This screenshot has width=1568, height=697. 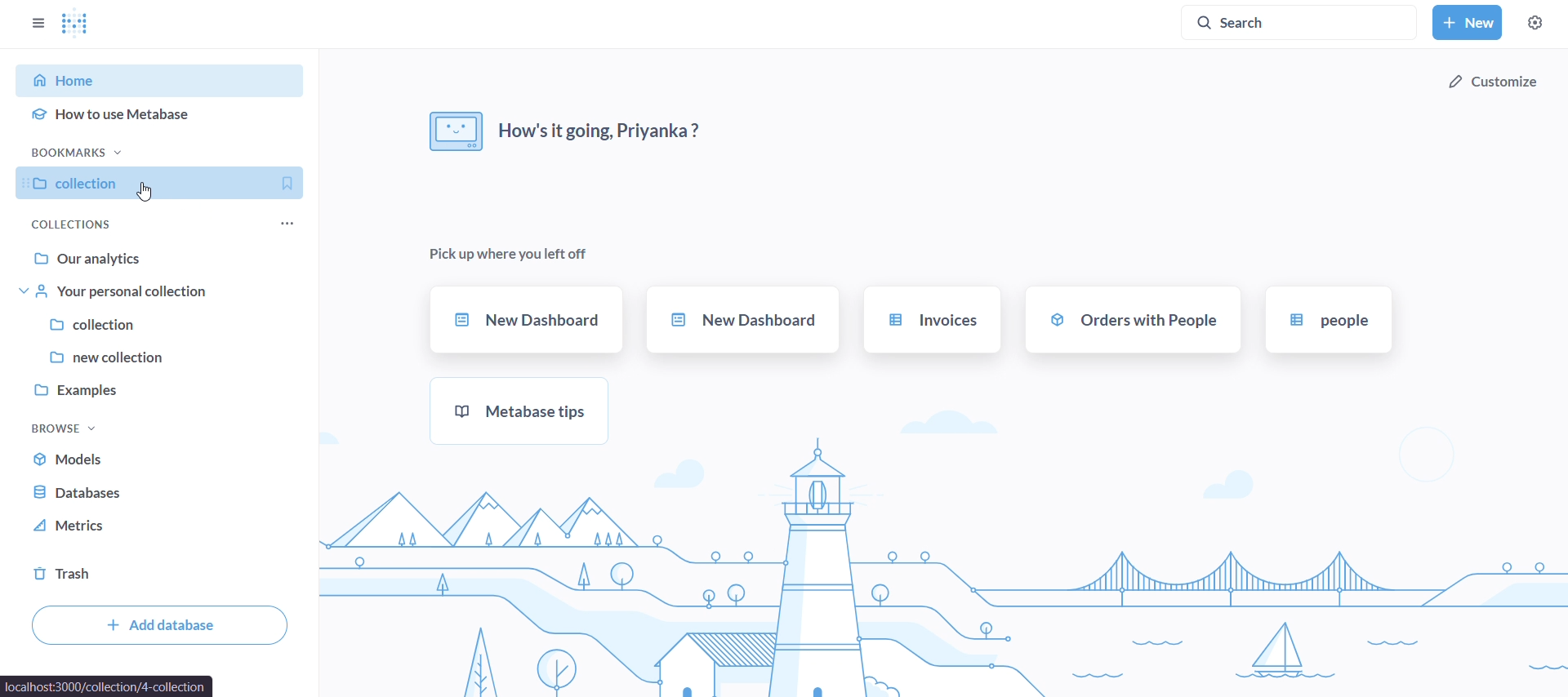 I want to click on new dashboard, so click(x=529, y=320).